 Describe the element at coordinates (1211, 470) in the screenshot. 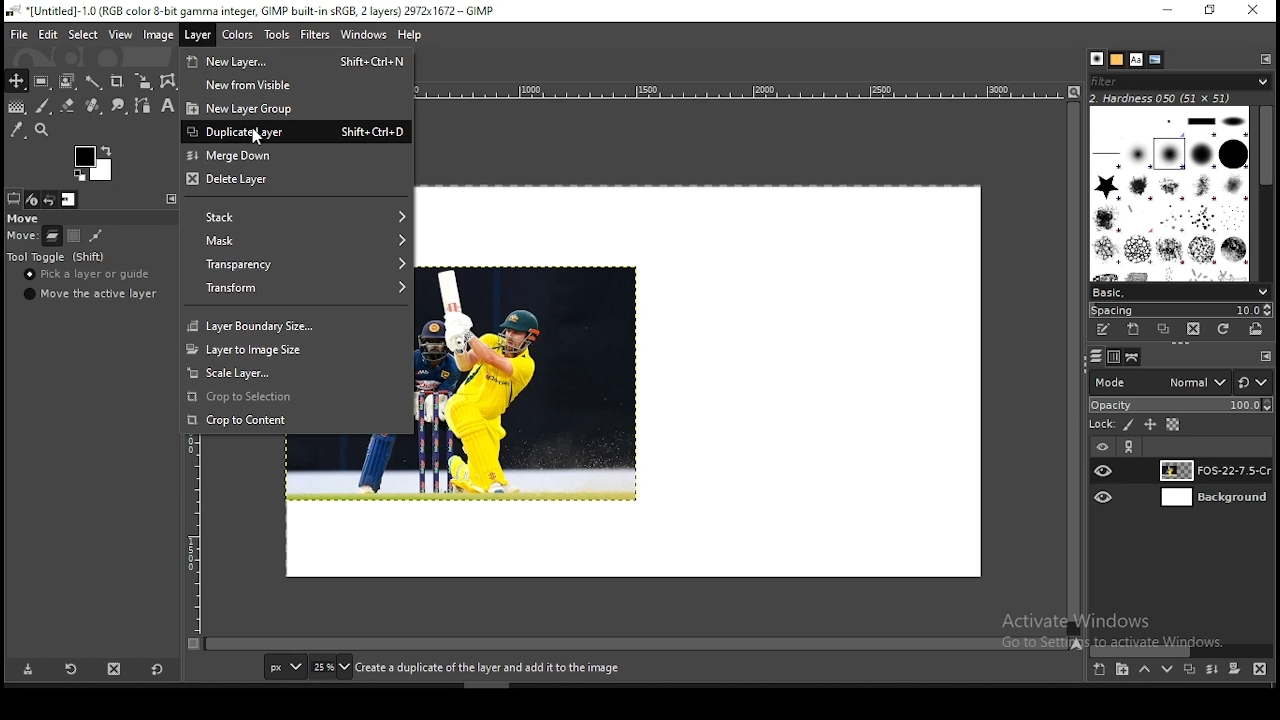

I see `layer ` at that location.